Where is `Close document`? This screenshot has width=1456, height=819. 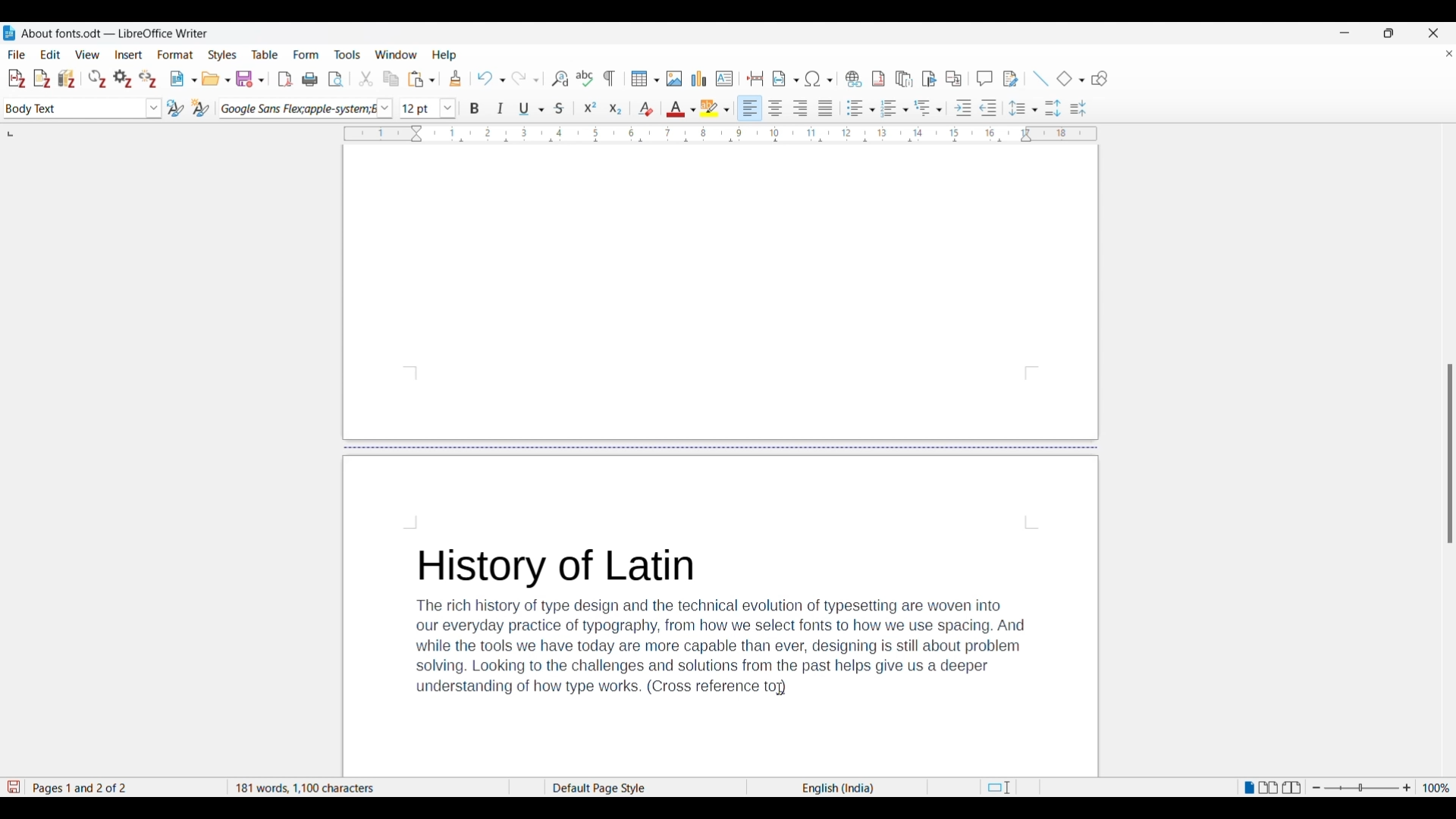
Close document is located at coordinates (1449, 56).